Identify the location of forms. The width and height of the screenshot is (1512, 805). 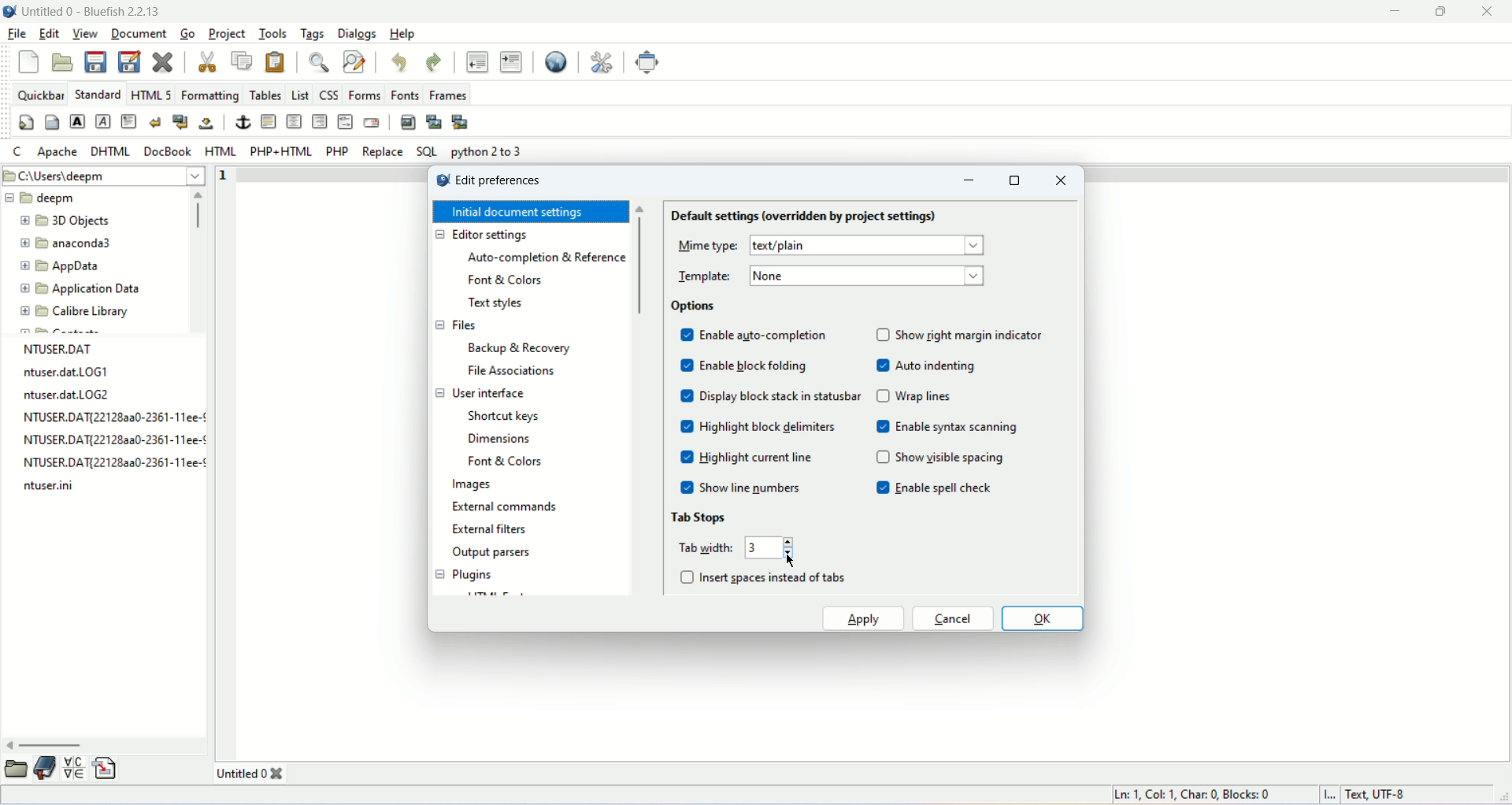
(364, 94).